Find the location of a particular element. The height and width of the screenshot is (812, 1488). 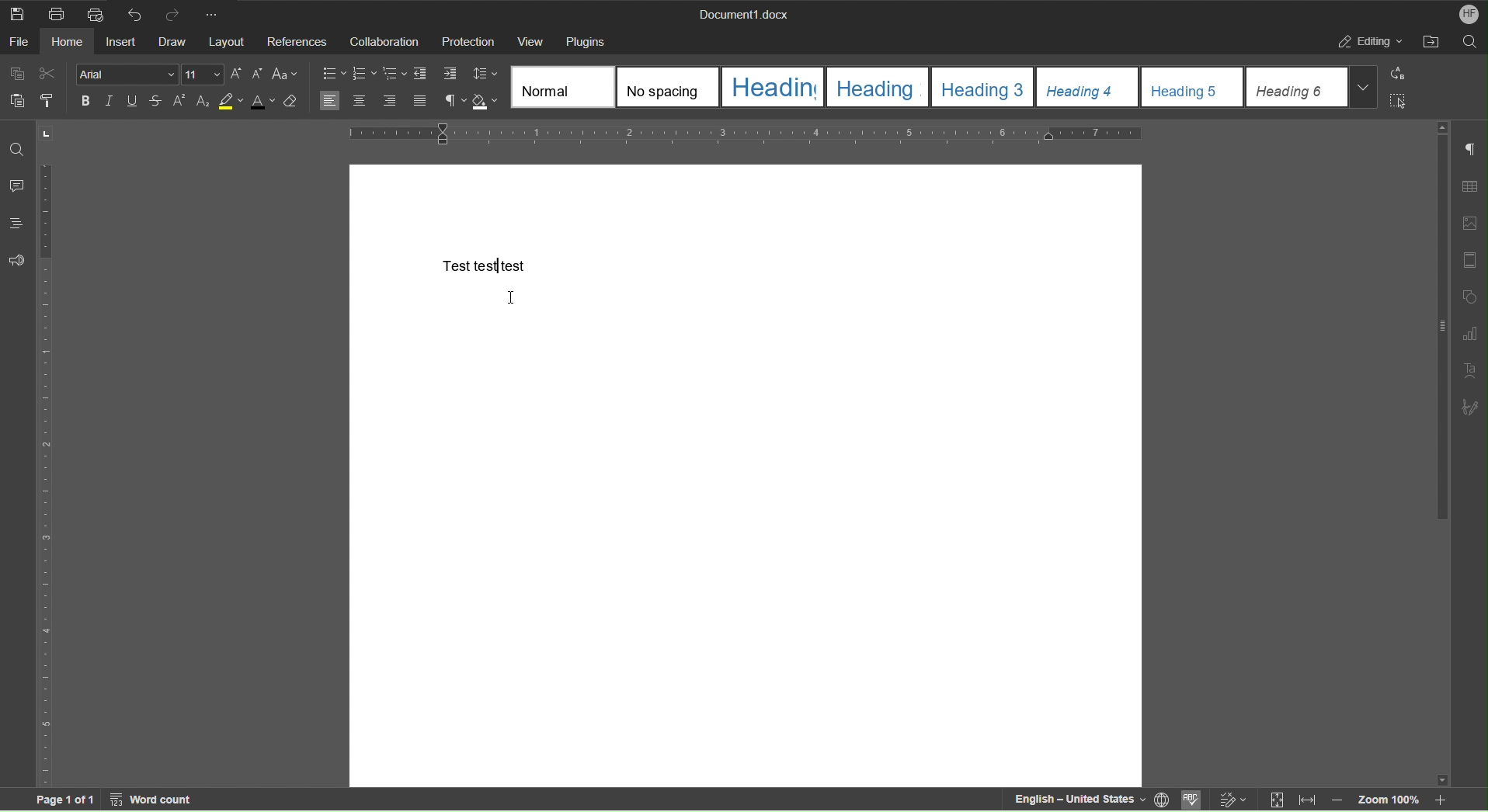

Text Color is located at coordinates (262, 102).